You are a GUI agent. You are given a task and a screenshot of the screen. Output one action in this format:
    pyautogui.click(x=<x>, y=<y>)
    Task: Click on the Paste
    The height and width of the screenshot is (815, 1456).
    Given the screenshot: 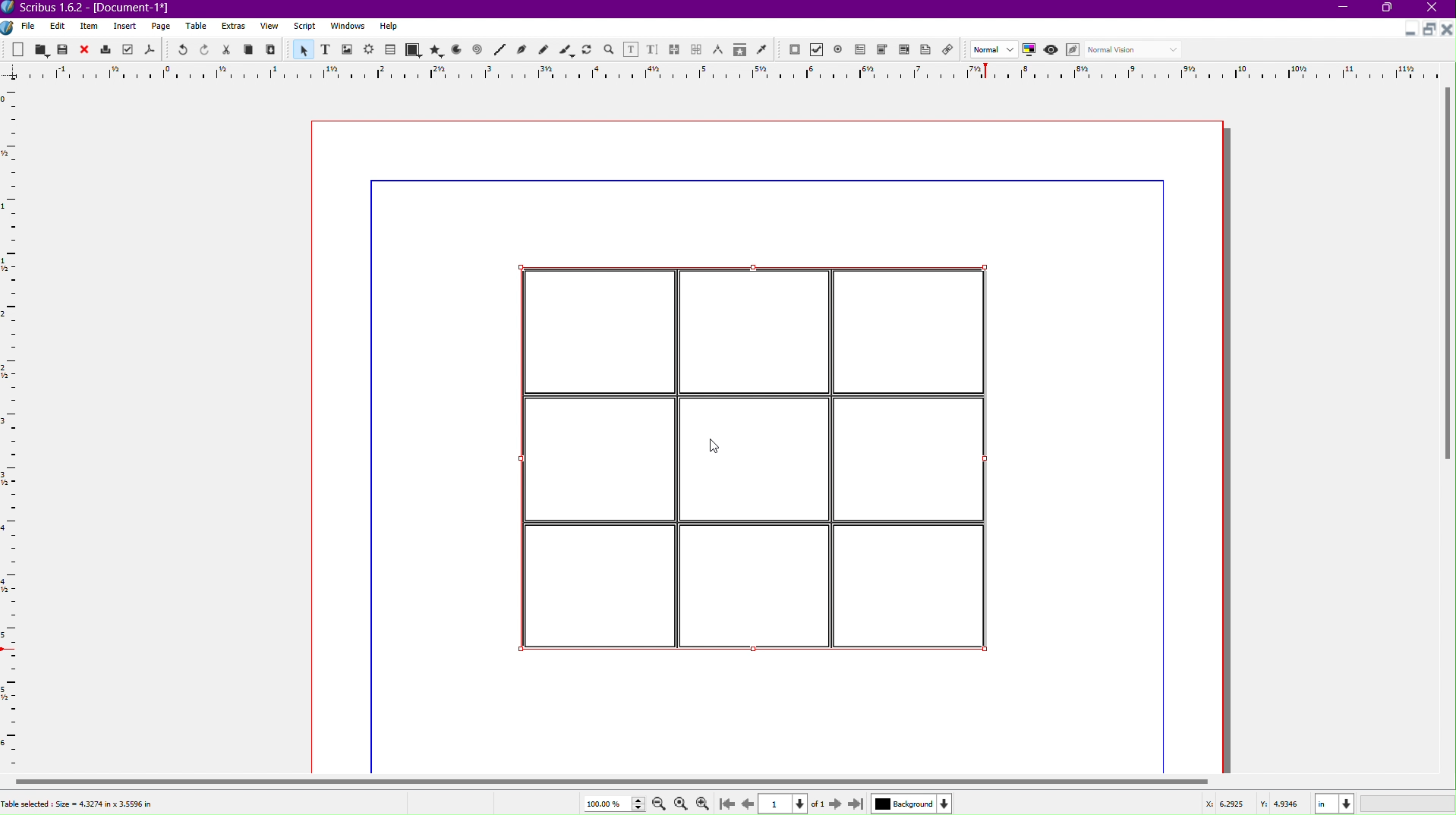 What is the action you would take?
    pyautogui.click(x=272, y=50)
    